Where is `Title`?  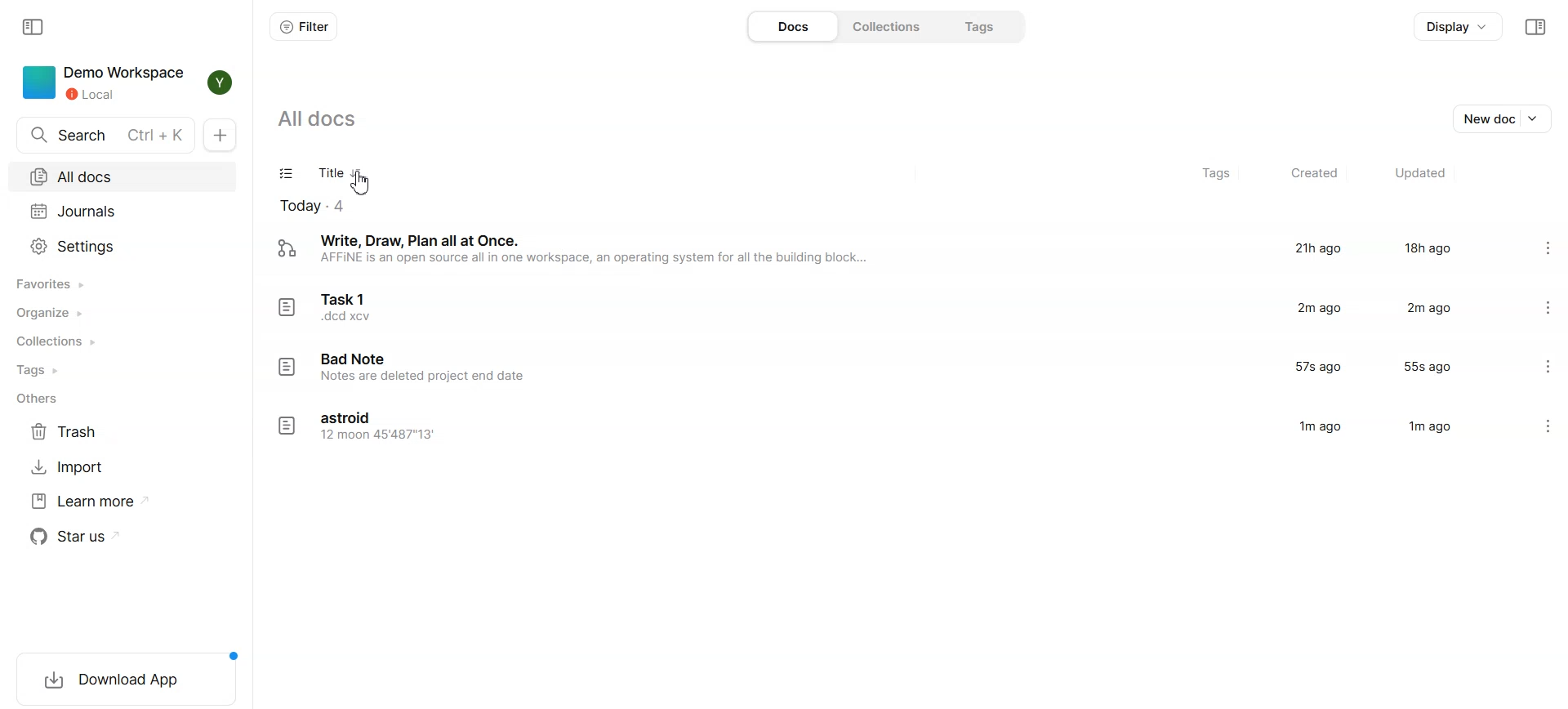 Title is located at coordinates (331, 174).